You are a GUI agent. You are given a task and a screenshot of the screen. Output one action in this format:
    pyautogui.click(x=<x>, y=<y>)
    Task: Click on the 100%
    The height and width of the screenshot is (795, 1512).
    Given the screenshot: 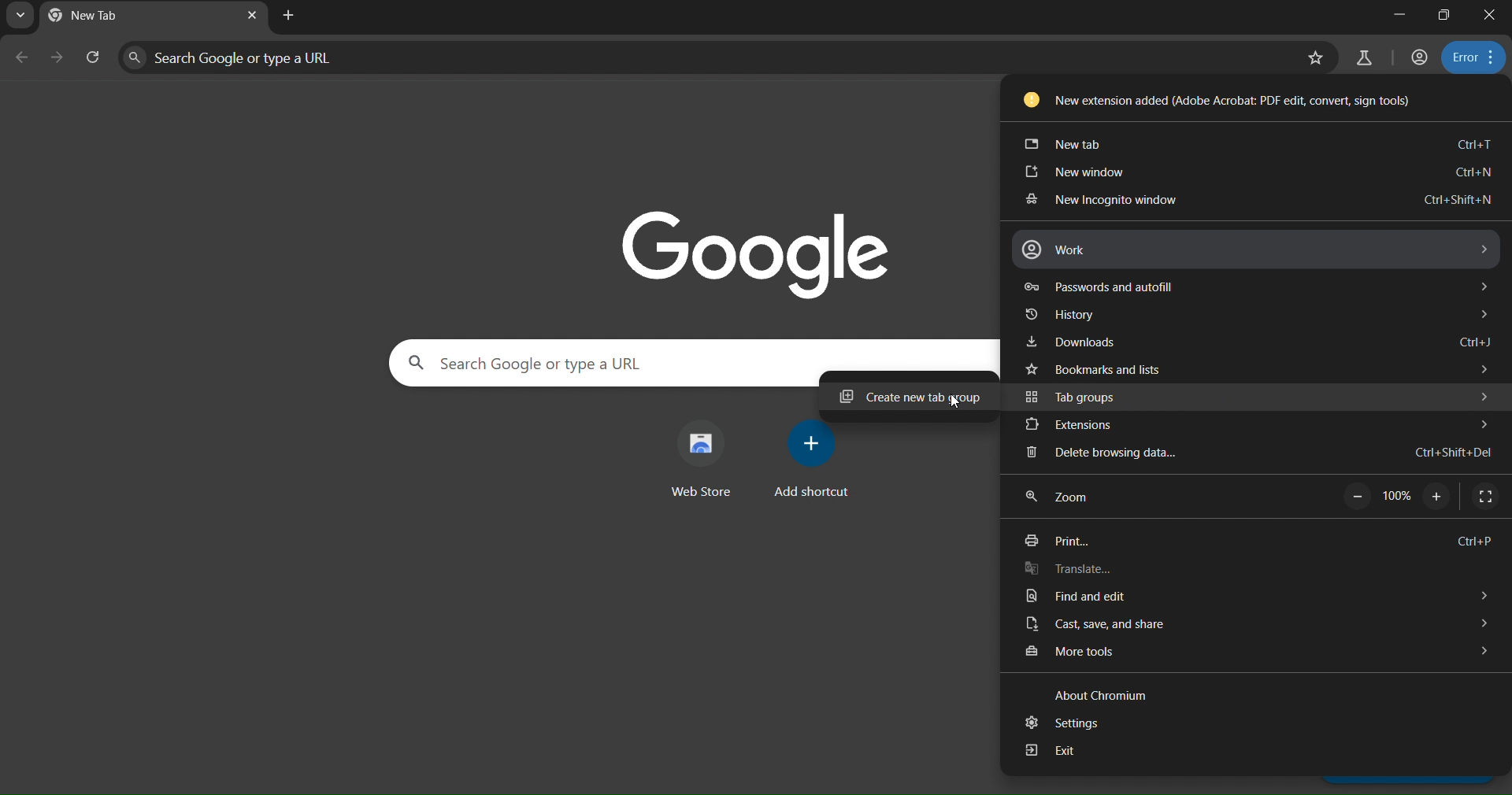 What is the action you would take?
    pyautogui.click(x=1397, y=498)
    